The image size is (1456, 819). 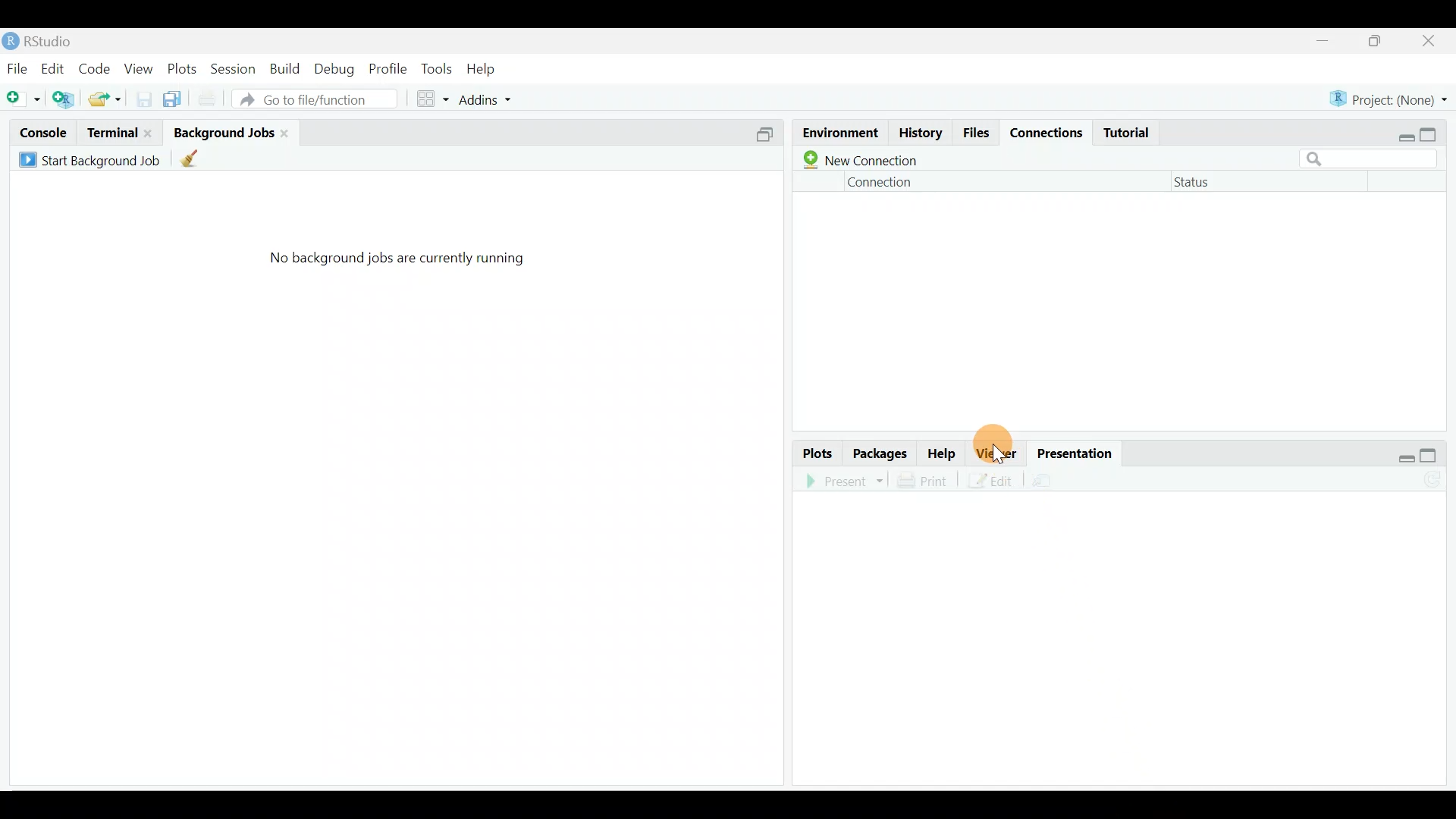 What do you see at coordinates (1430, 42) in the screenshot?
I see `Close` at bounding box center [1430, 42].